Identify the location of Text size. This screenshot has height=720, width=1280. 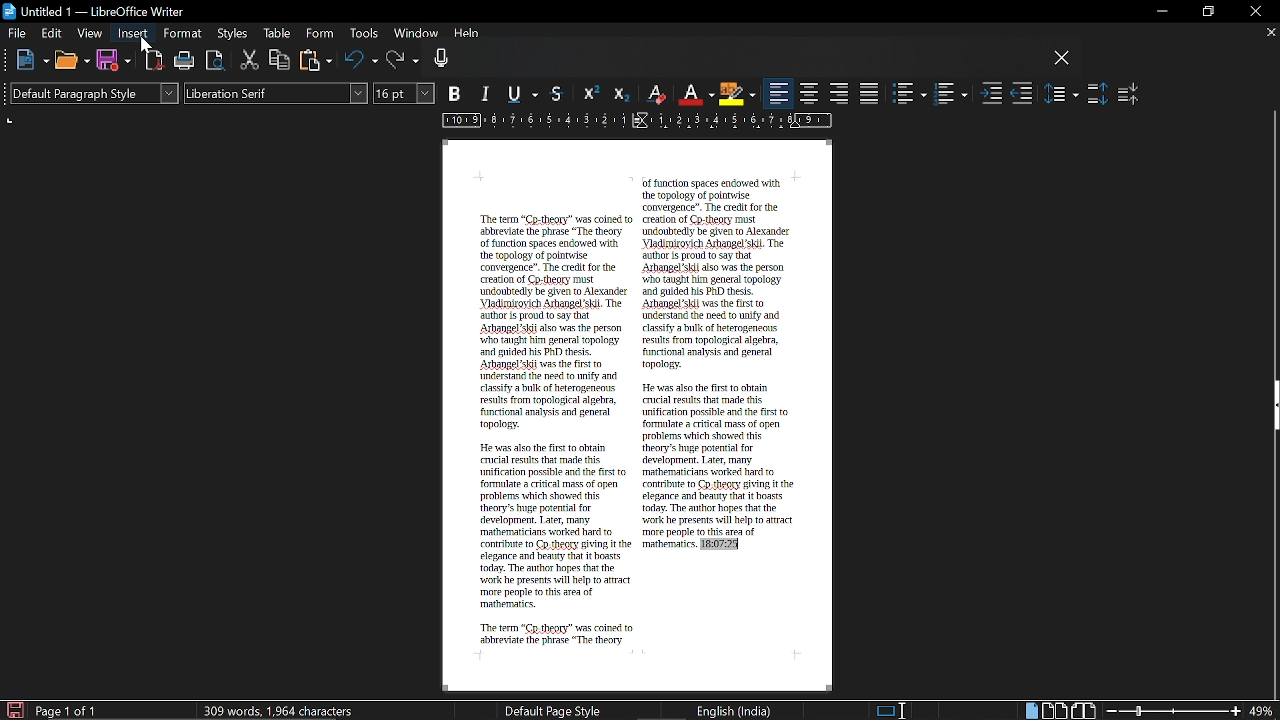
(405, 93).